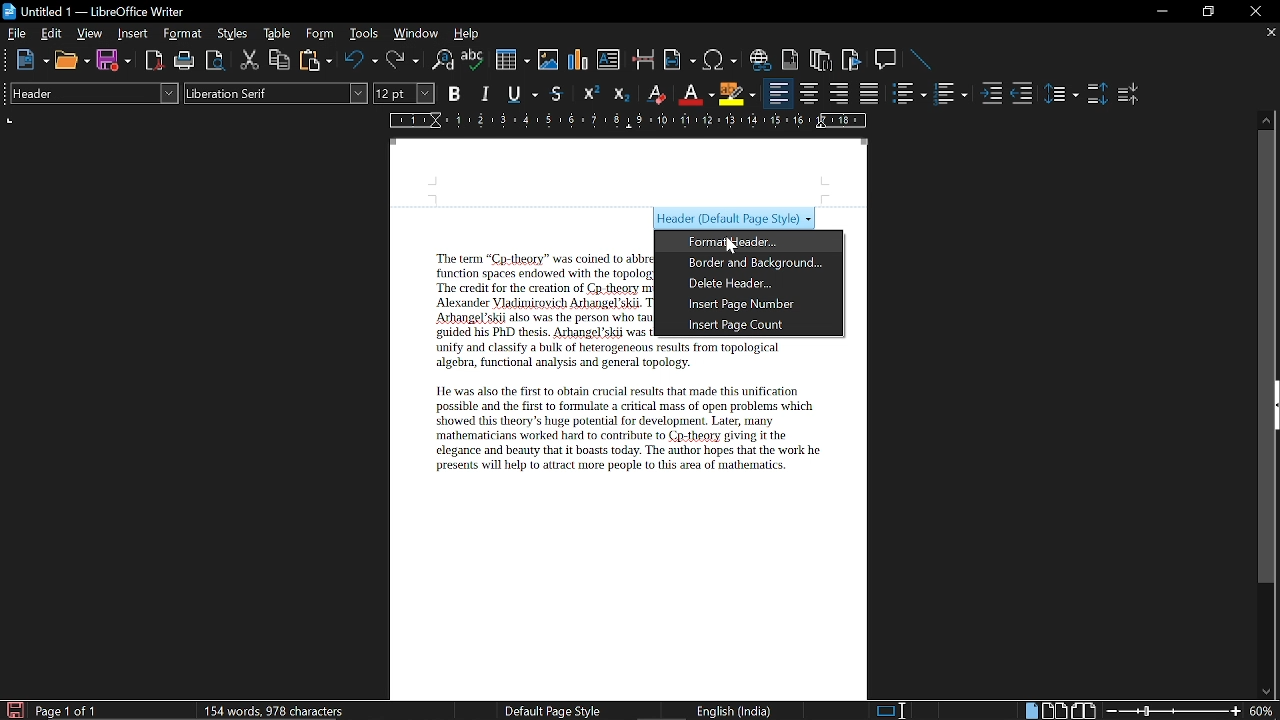 The image size is (1280, 720). Describe the element at coordinates (214, 61) in the screenshot. I see `Toggle preview` at that location.